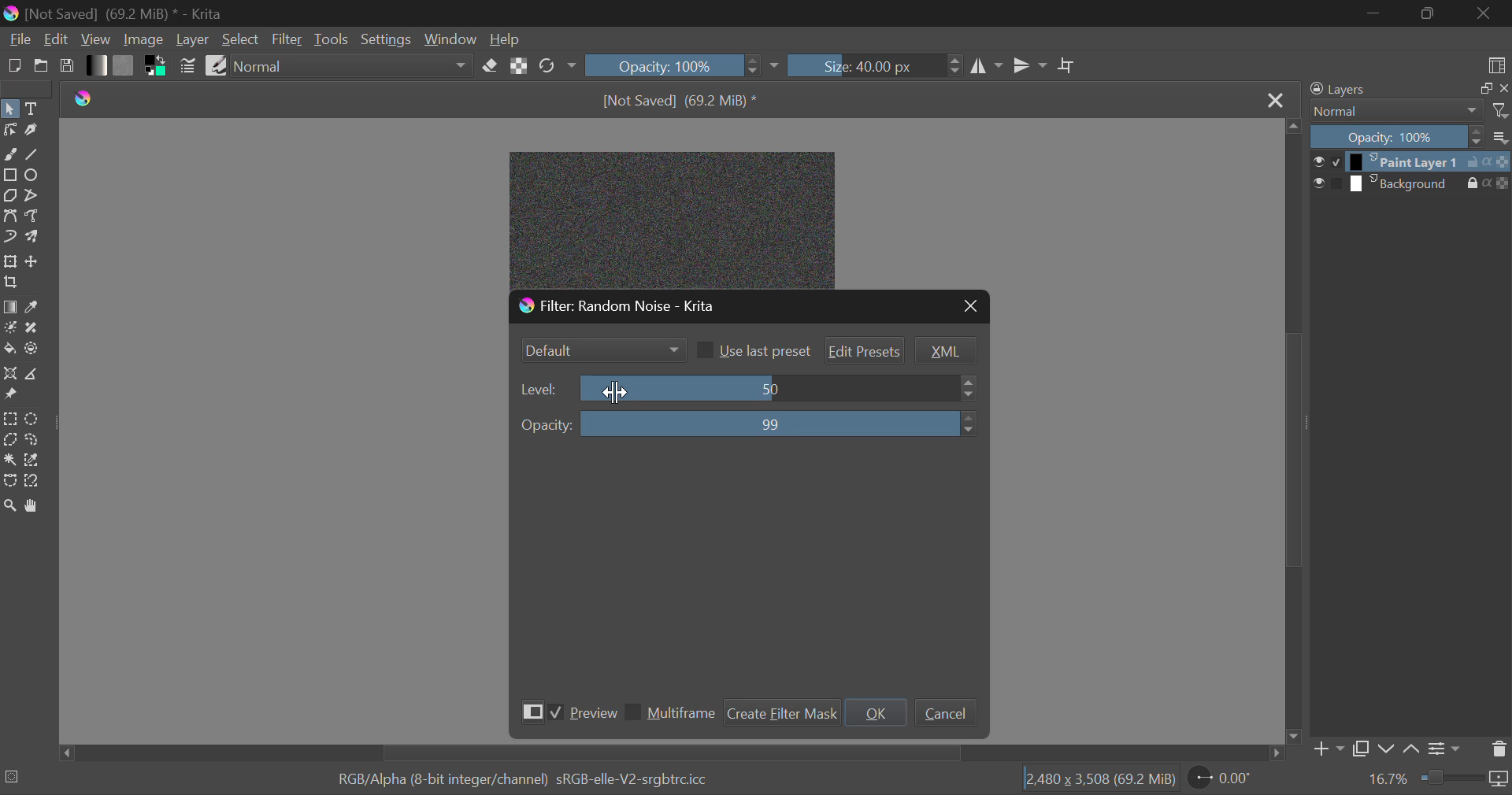  I want to click on select, so click(1315, 183).